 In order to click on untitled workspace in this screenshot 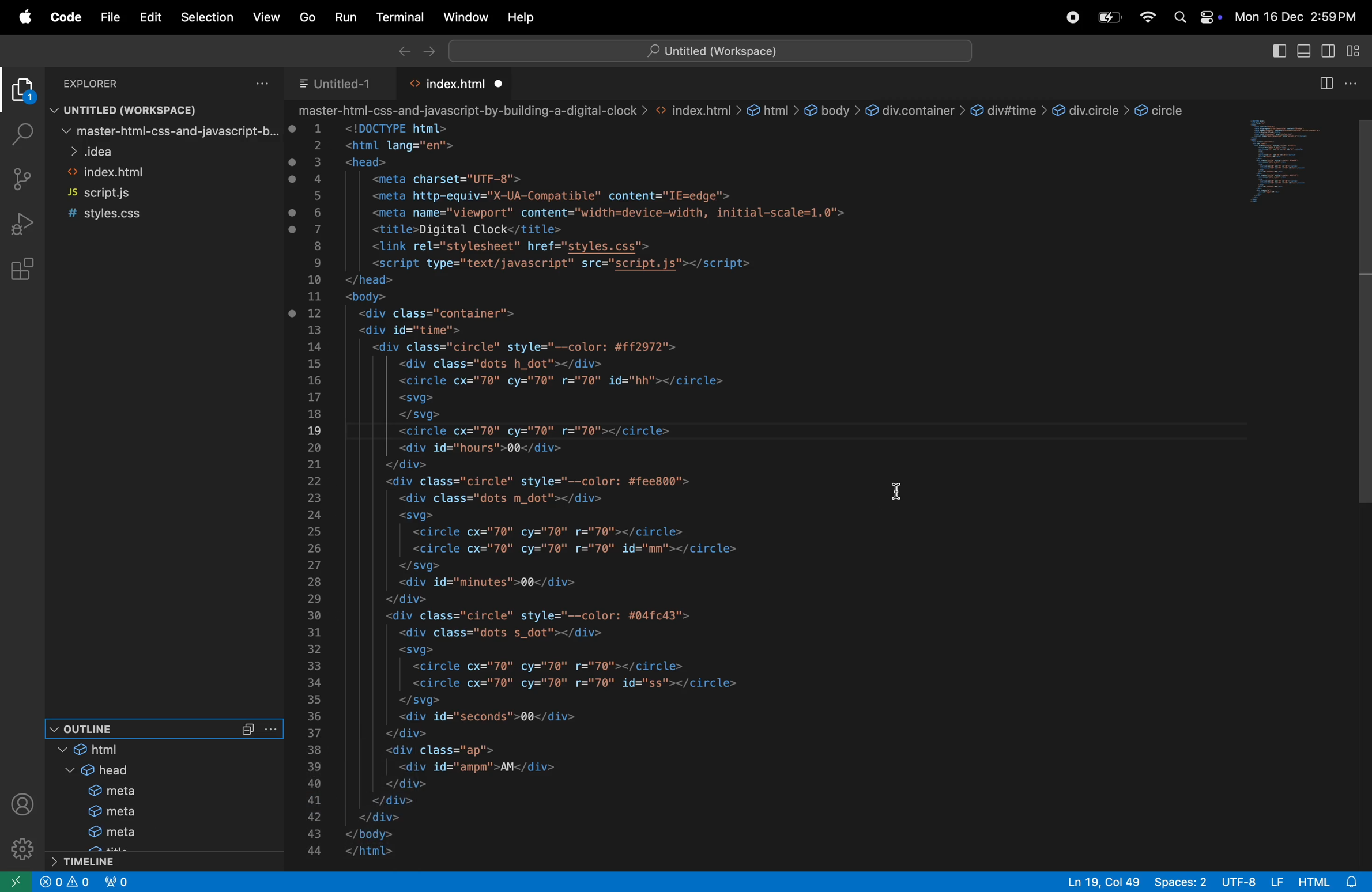, I will do `click(152, 108)`.